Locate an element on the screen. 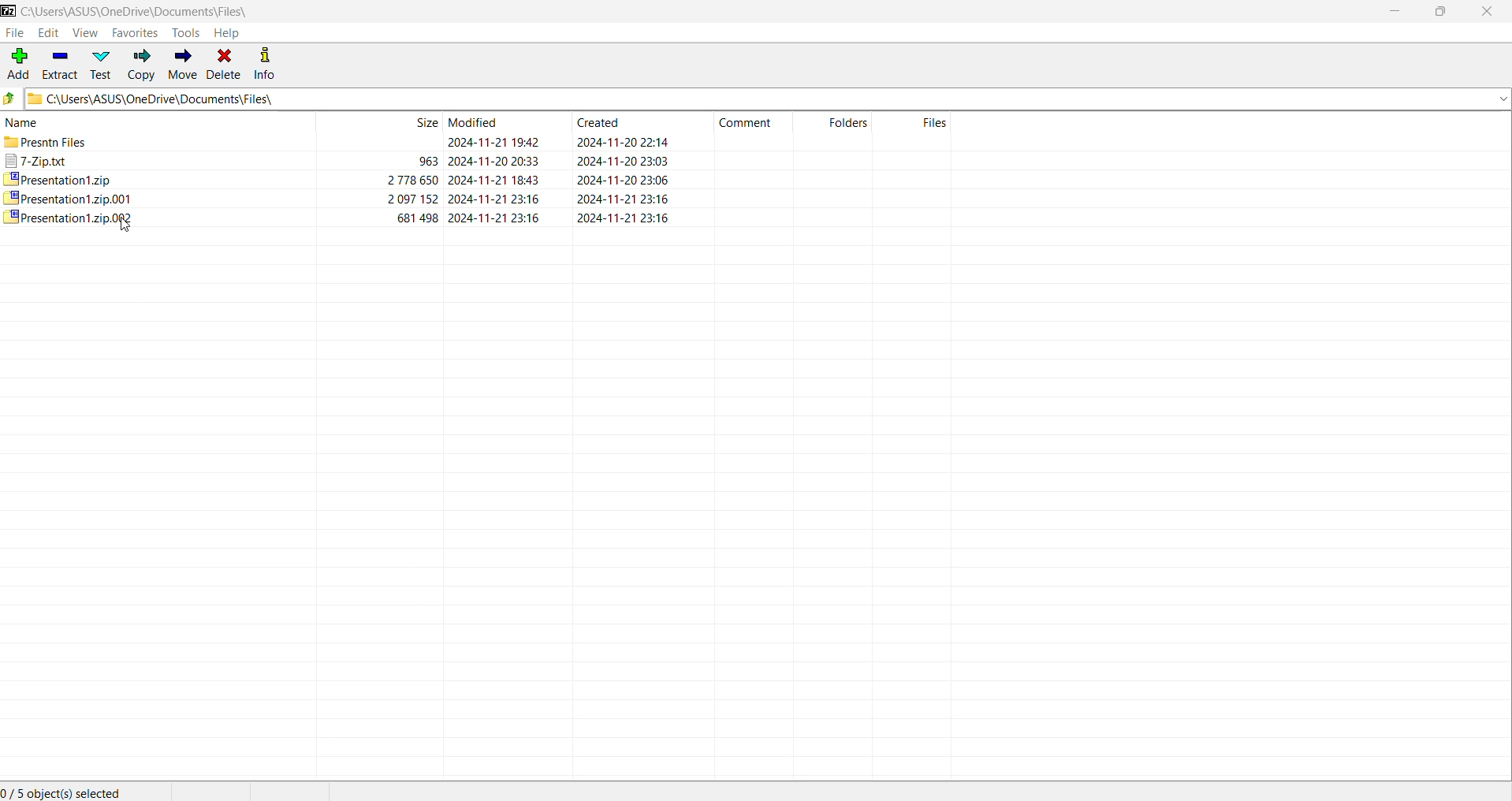 The image size is (1512, 801). Move is located at coordinates (181, 65).